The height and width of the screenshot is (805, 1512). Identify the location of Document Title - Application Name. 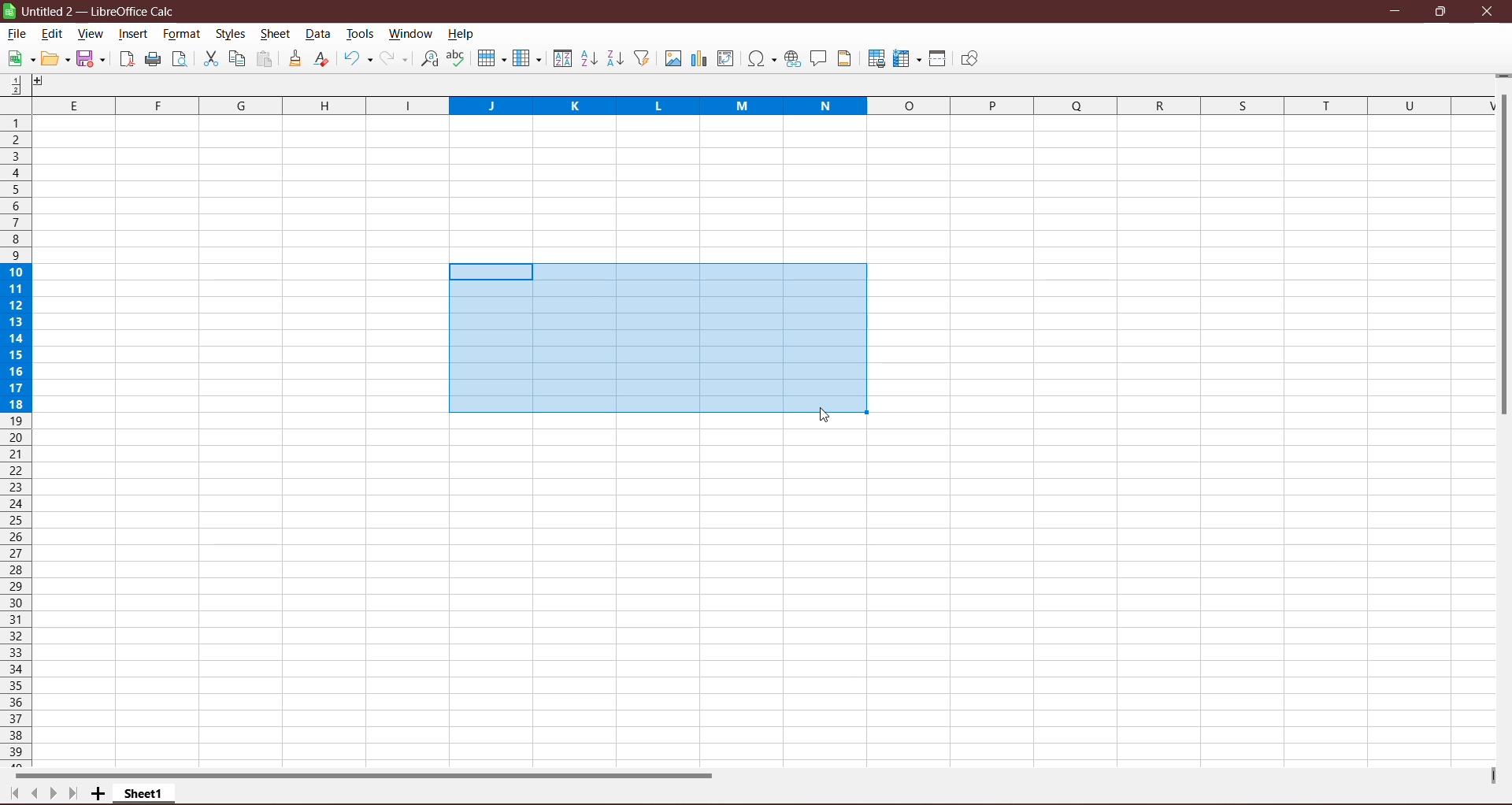
(103, 11).